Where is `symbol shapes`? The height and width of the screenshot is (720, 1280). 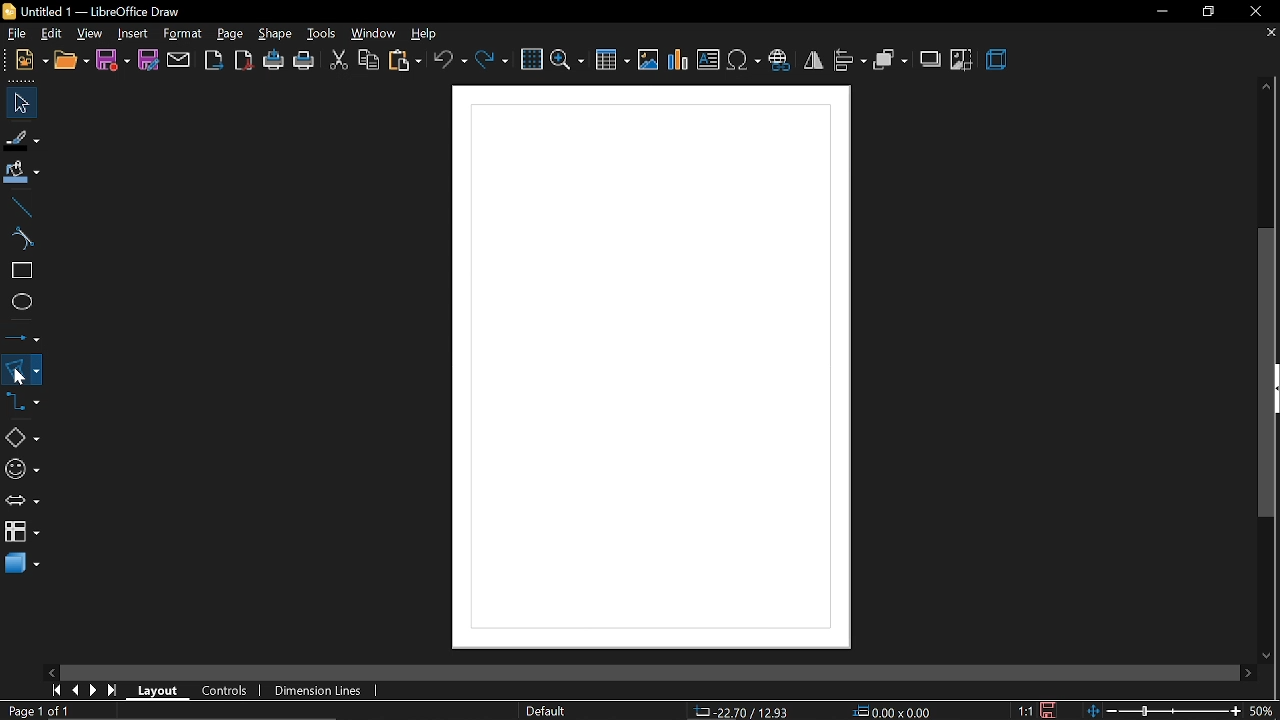
symbol shapes is located at coordinates (21, 469).